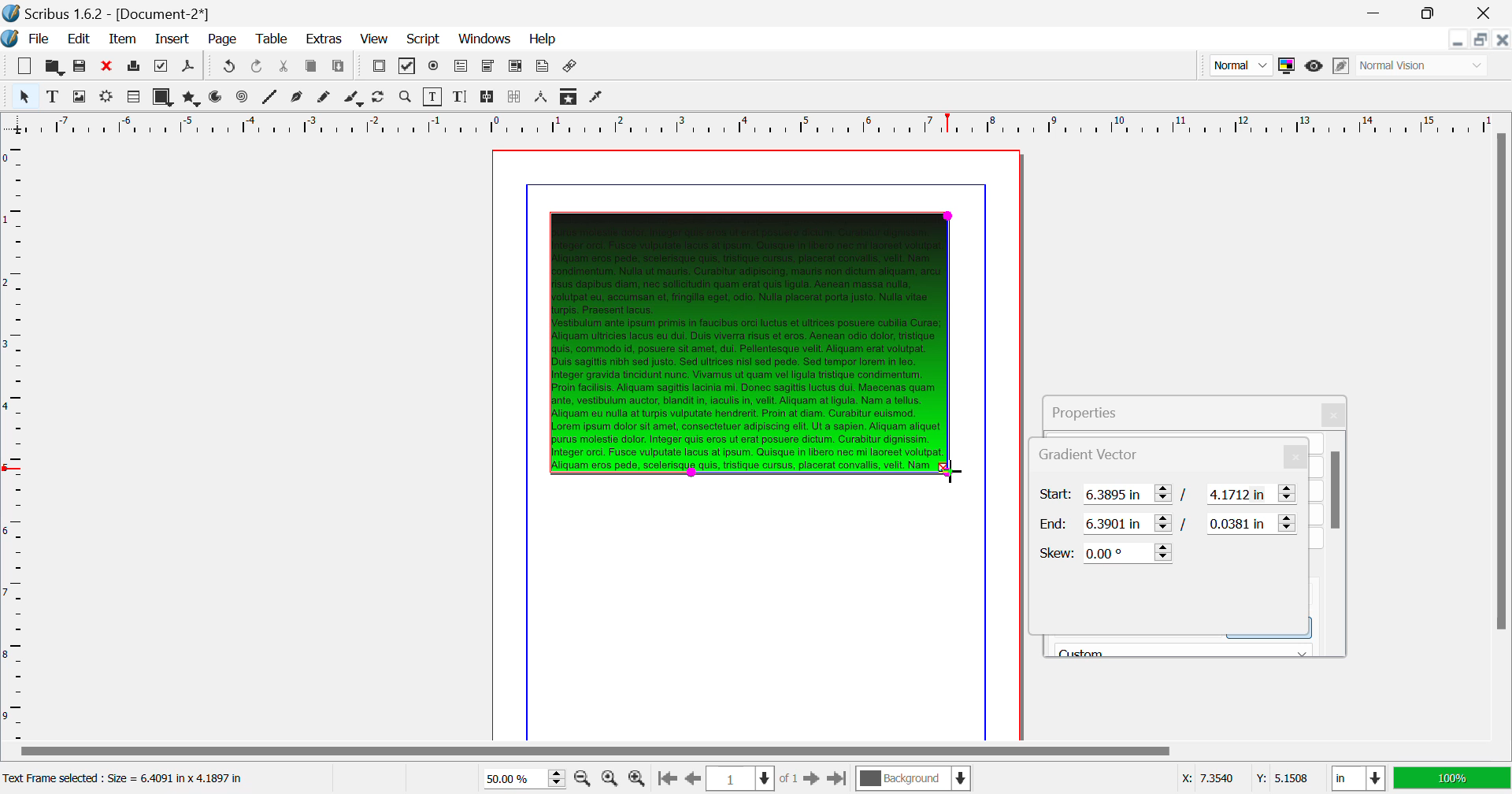  What do you see at coordinates (1459, 39) in the screenshot?
I see `Restore Down` at bounding box center [1459, 39].